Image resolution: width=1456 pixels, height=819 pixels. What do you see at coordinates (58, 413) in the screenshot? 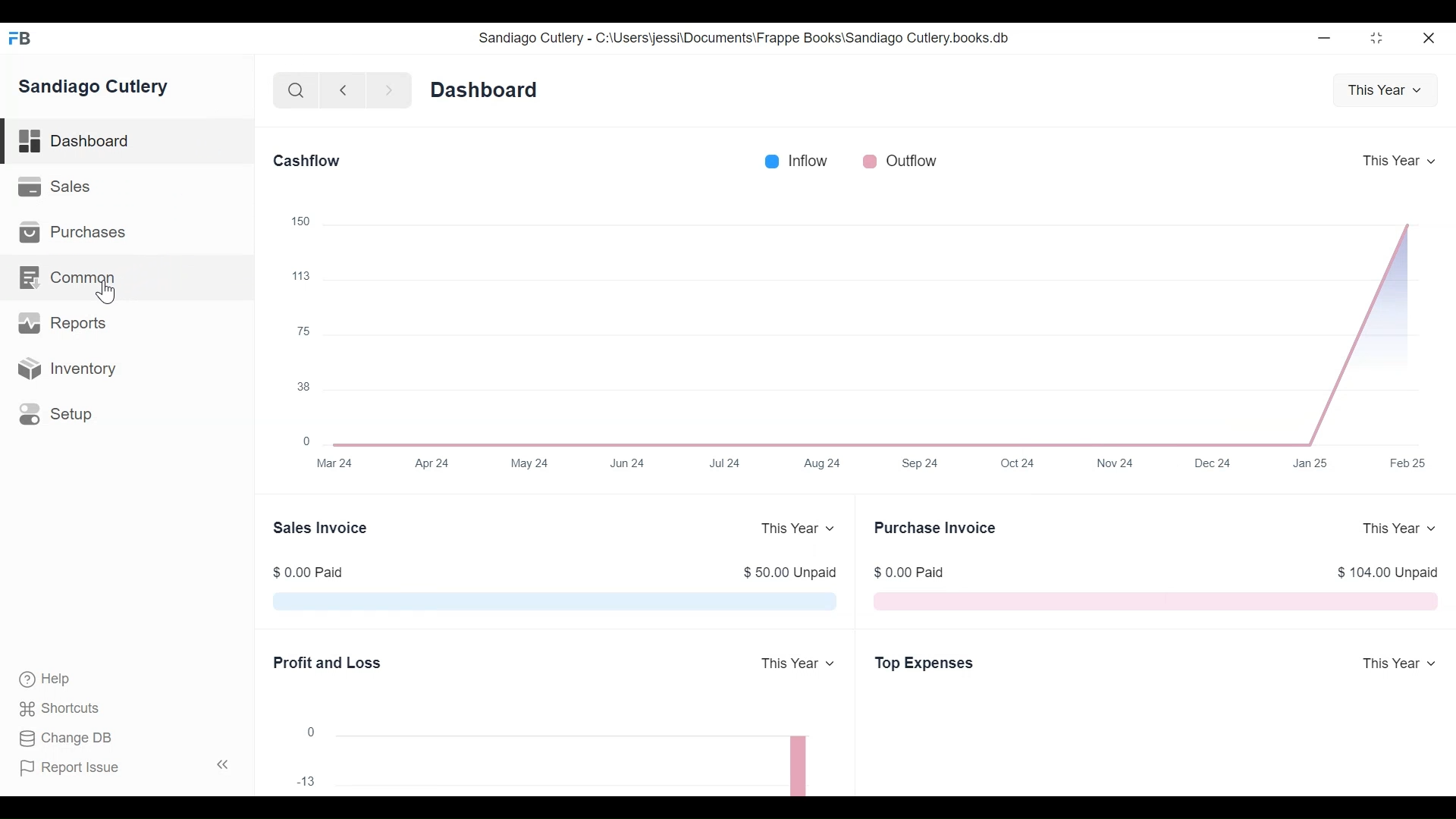
I see `Setup` at bounding box center [58, 413].